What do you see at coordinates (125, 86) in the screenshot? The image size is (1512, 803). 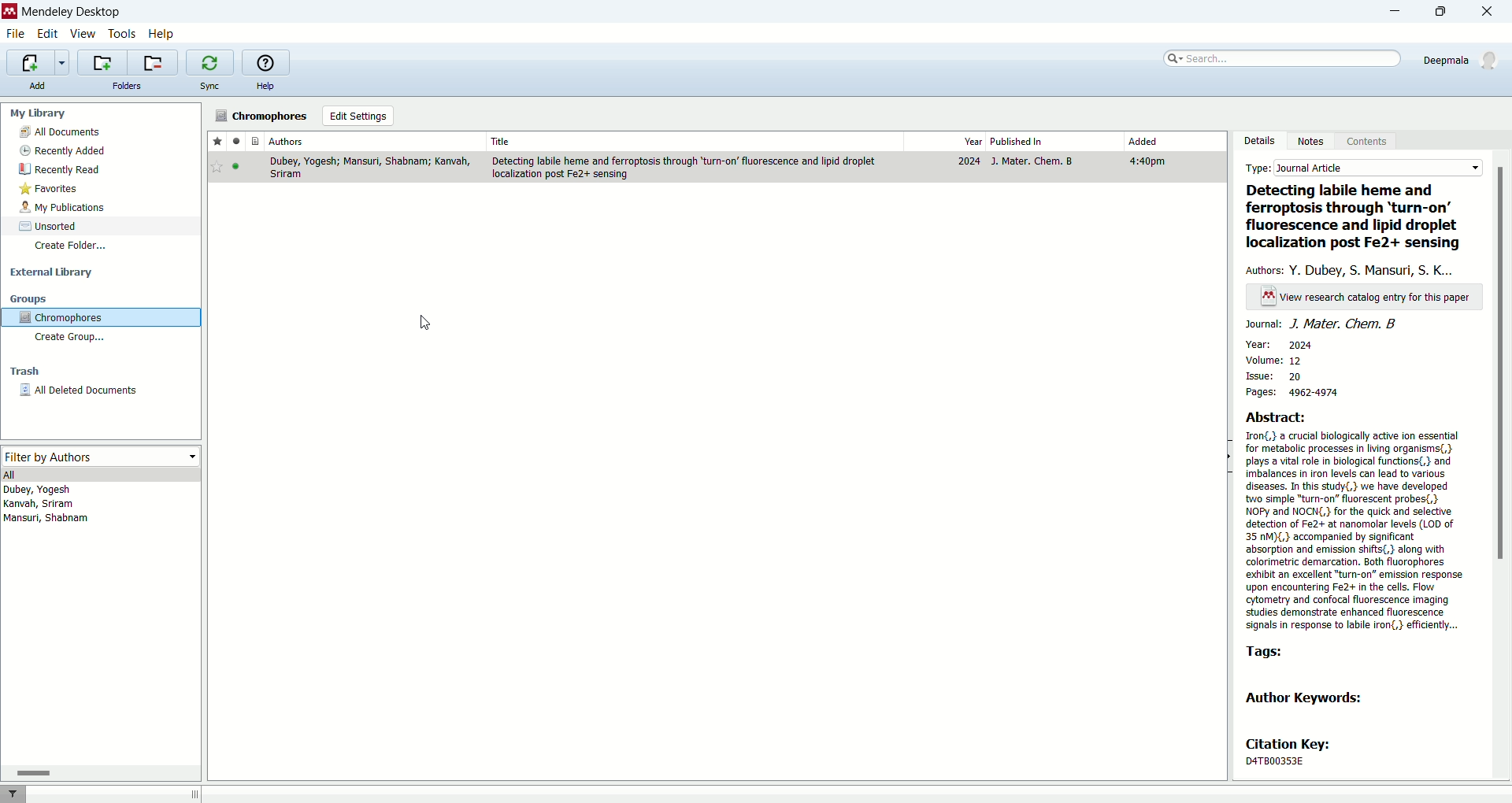 I see `folders` at bounding box center [125, 86].